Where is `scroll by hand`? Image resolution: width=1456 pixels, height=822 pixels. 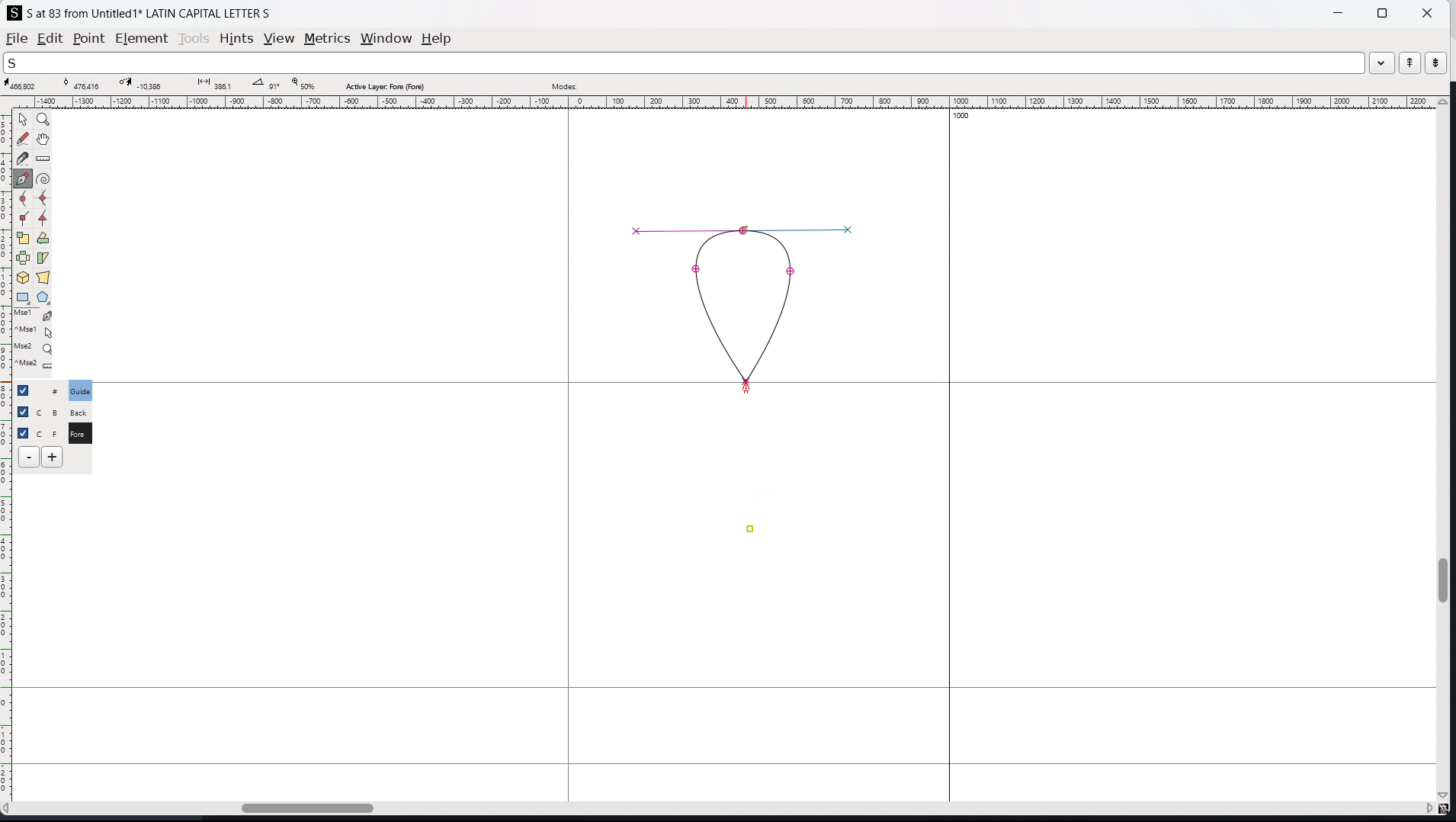 scroll by hand is located at coordinates (45, 140).